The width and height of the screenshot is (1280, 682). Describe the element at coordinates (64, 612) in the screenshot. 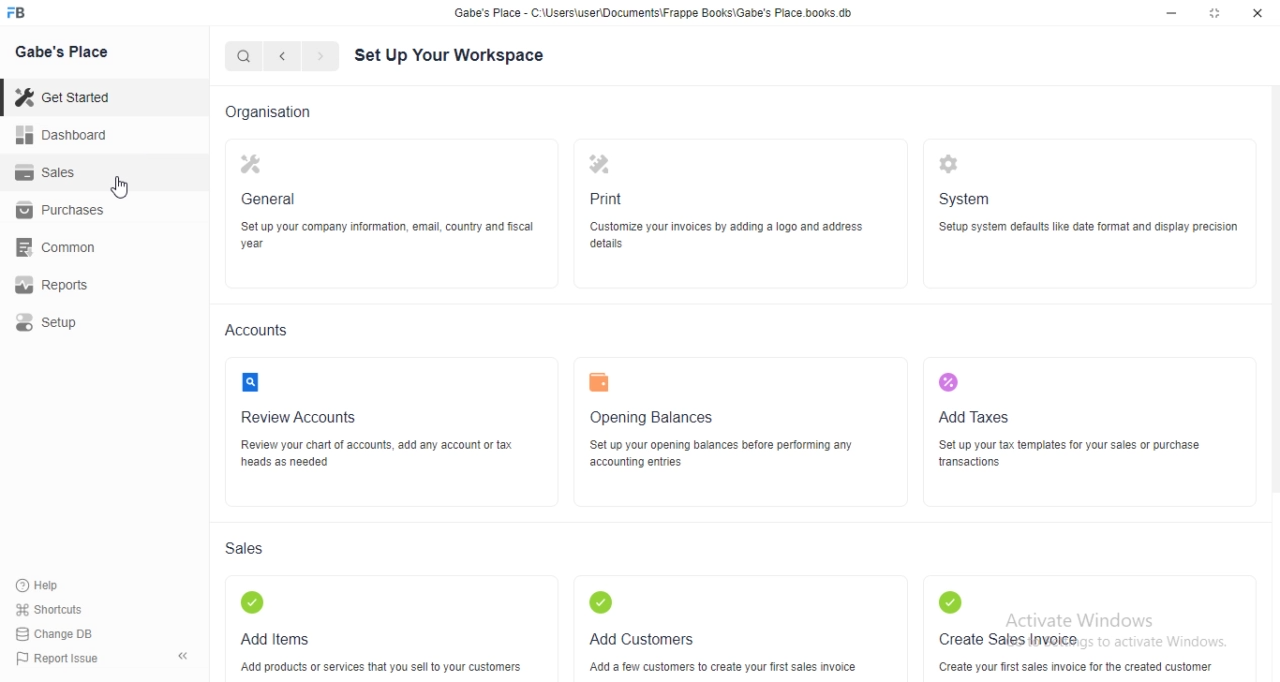

I see `Shortcuts` at that location.